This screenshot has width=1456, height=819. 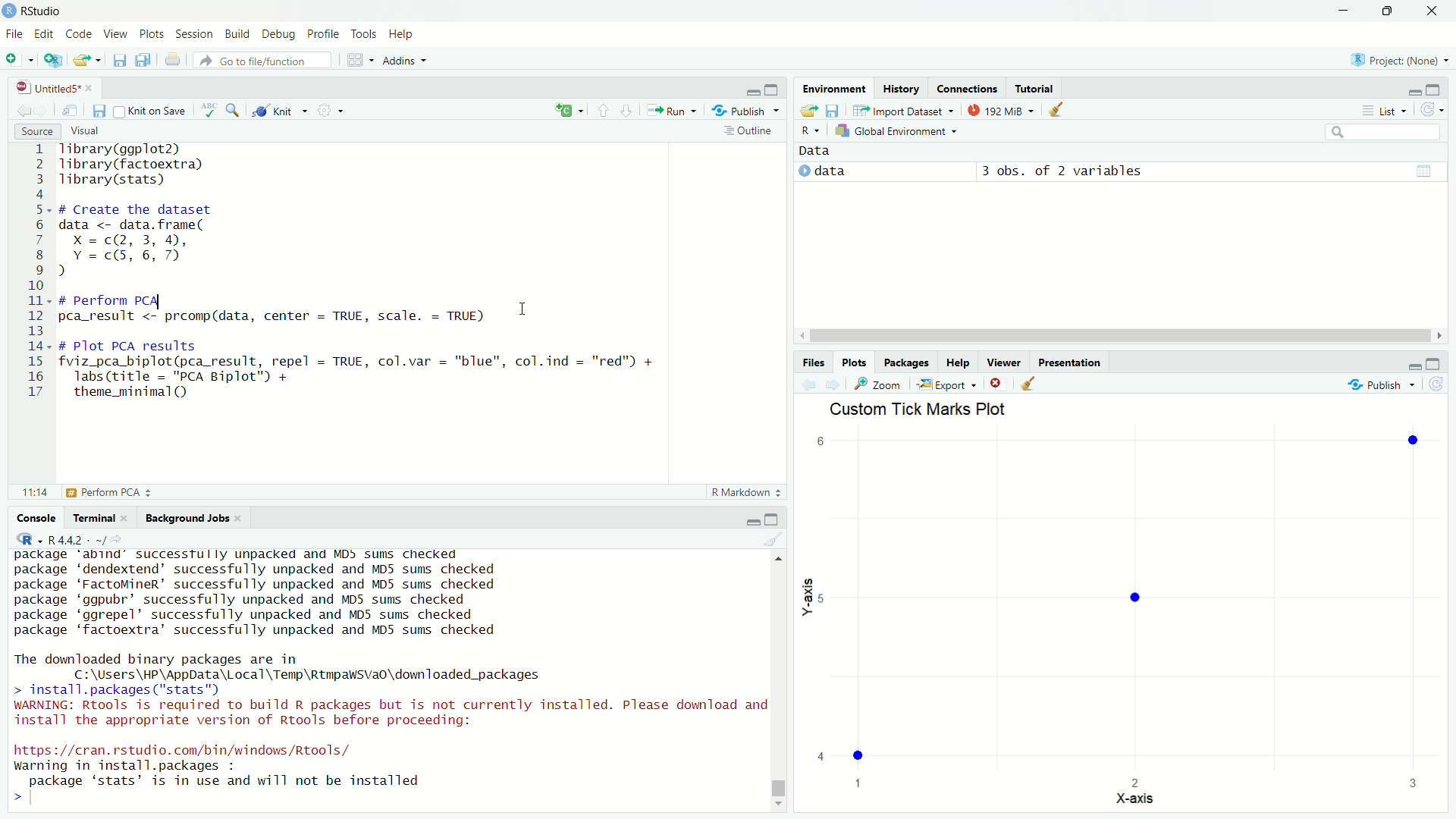 What do you see at coordinates (946, 384) in the screenshot?
I see `export` at bounding box center [946, 384].